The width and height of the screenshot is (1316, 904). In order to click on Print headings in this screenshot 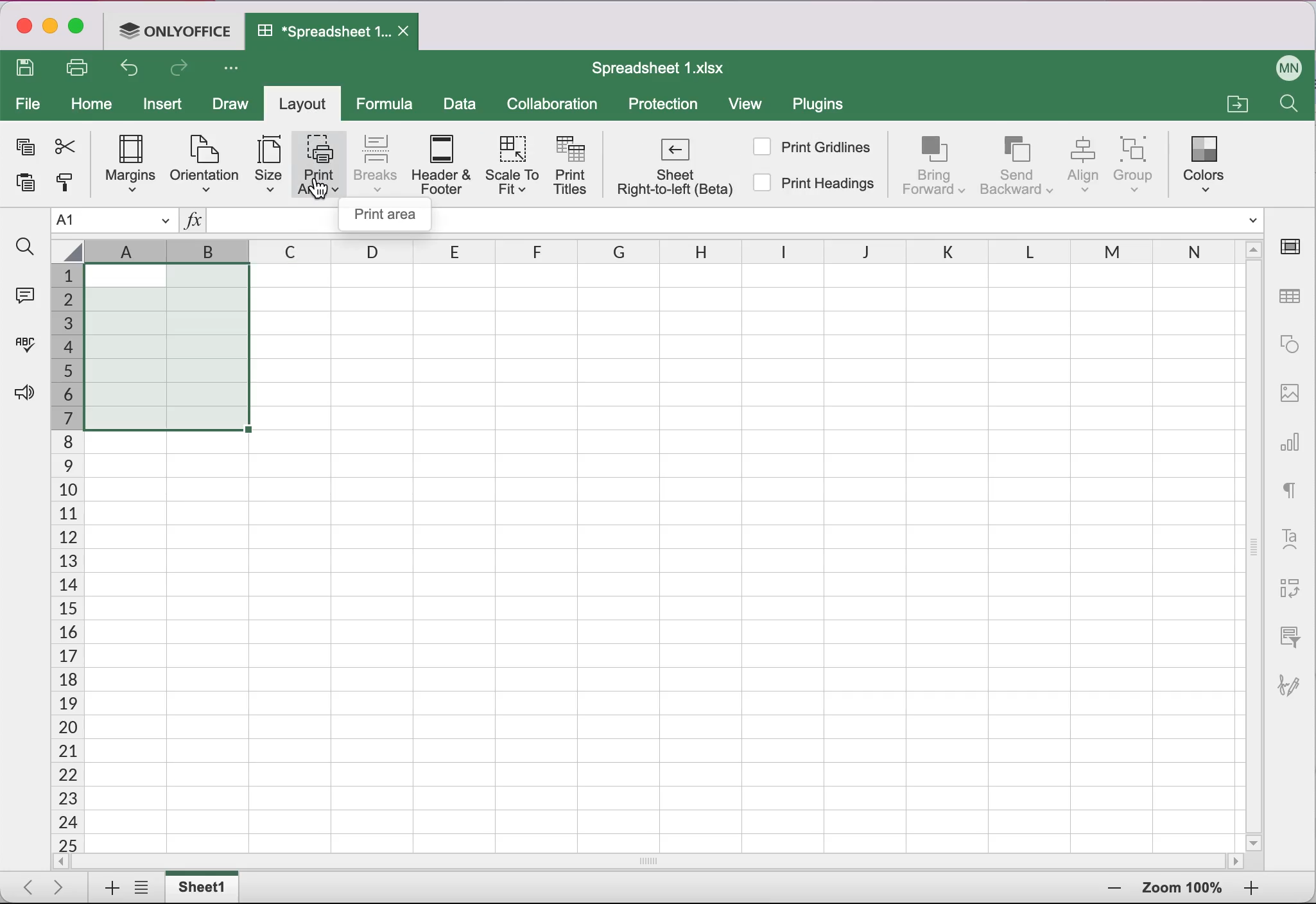, I will do `click(816, 186)`.